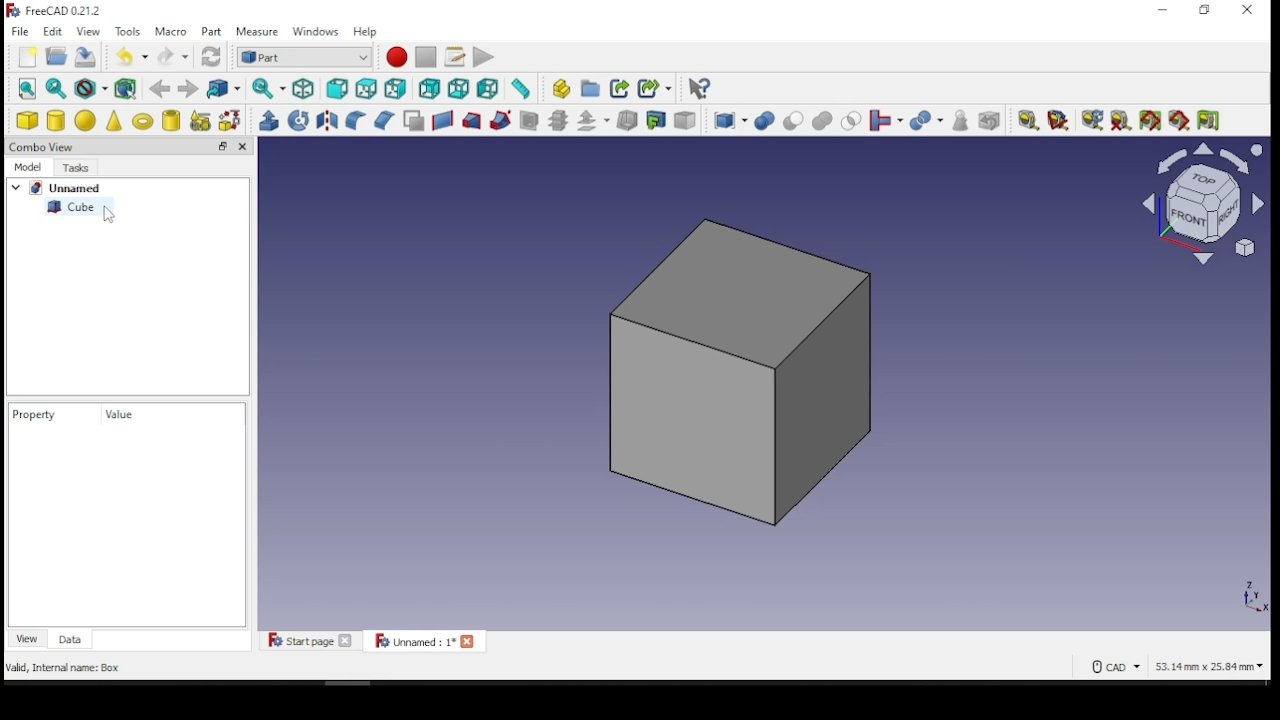  What do you see at coordinates (488, 89) in the screenshot?
I see `left` at bounding box center [488, 89].